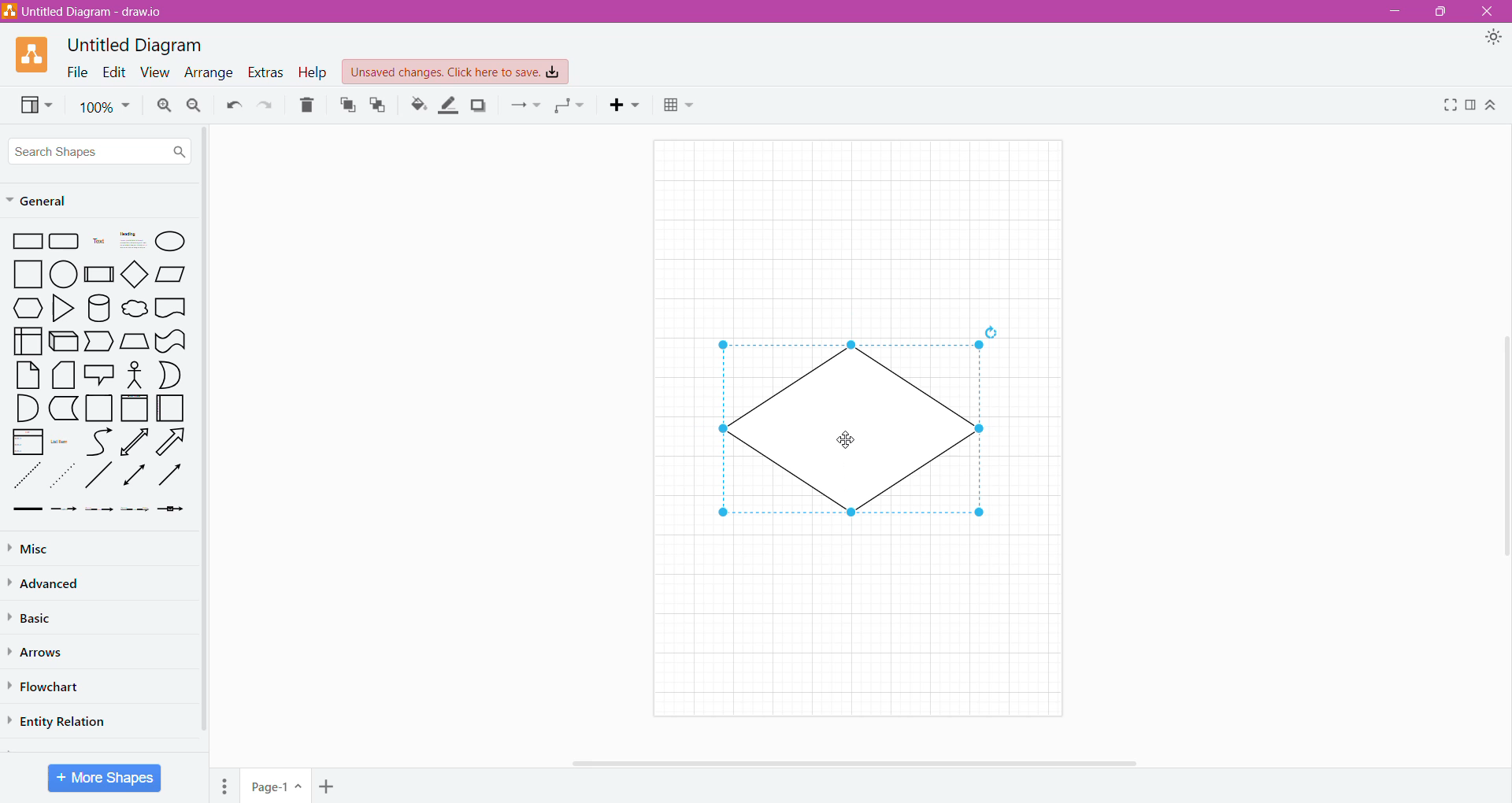  I want to click on Triangle, so click(61, 310).